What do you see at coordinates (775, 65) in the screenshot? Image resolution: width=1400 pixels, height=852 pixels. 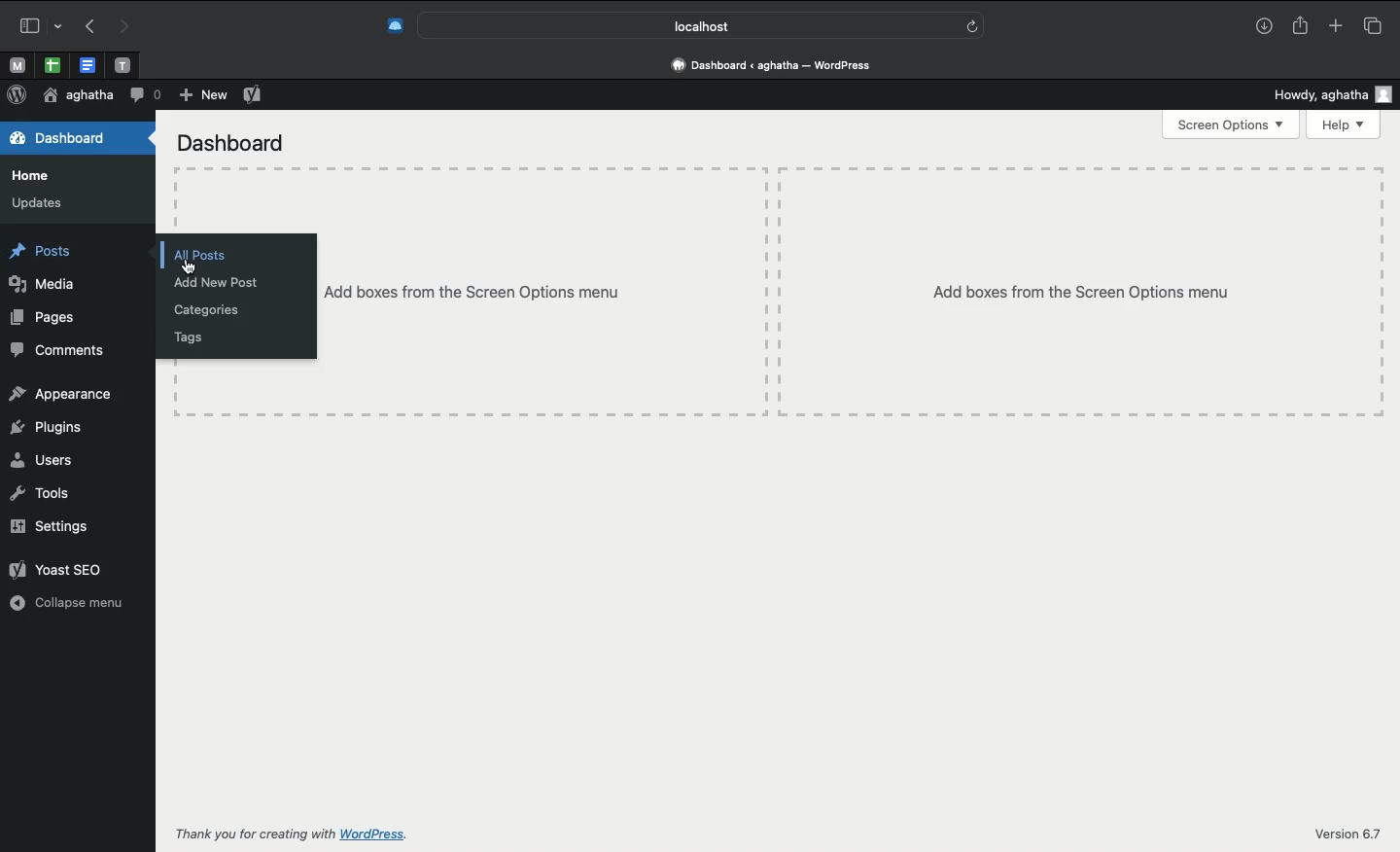 I see `Address` at bounding box center [775, 65].